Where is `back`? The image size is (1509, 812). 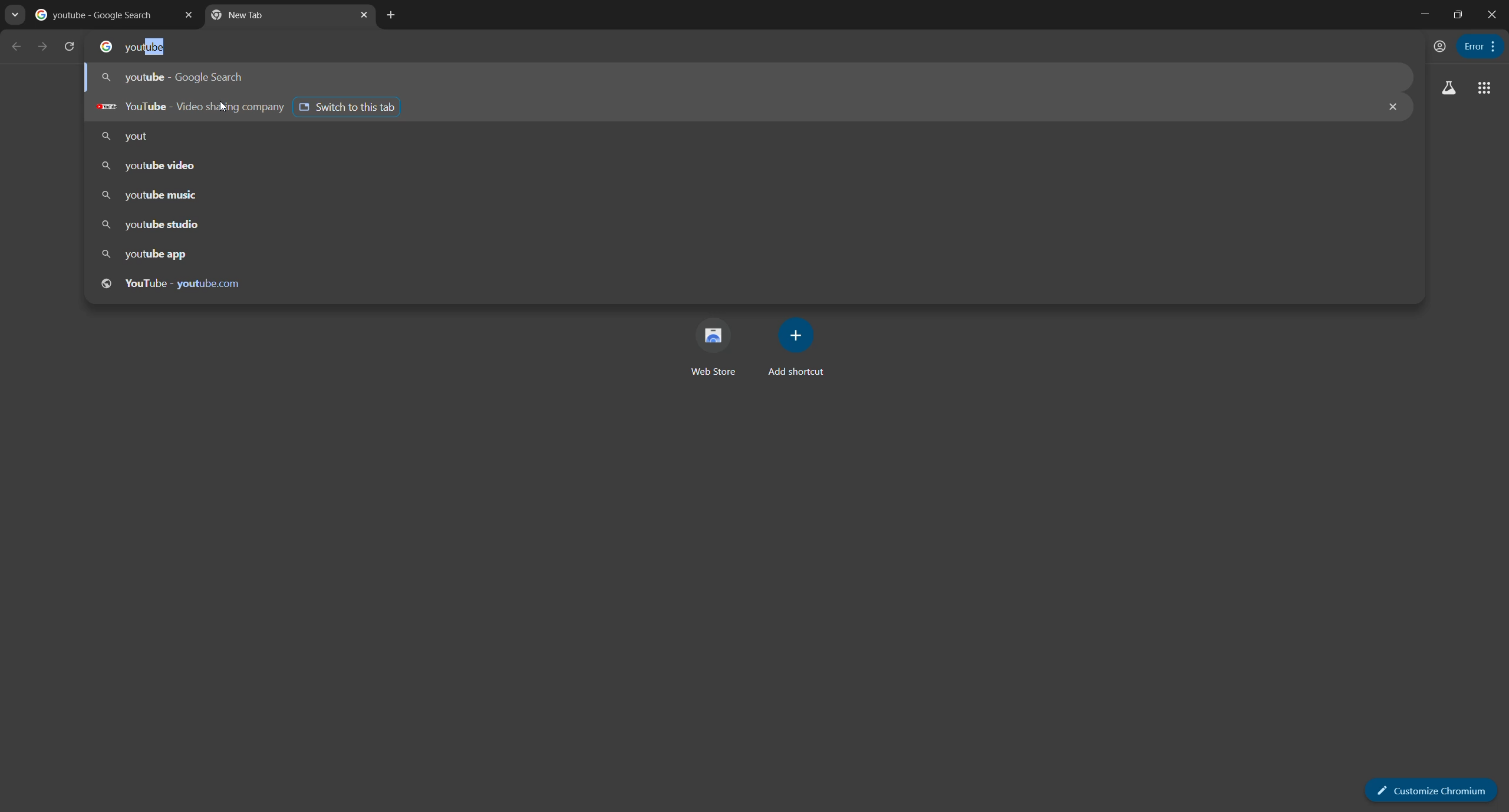 back is located at coordinates (17, 47).